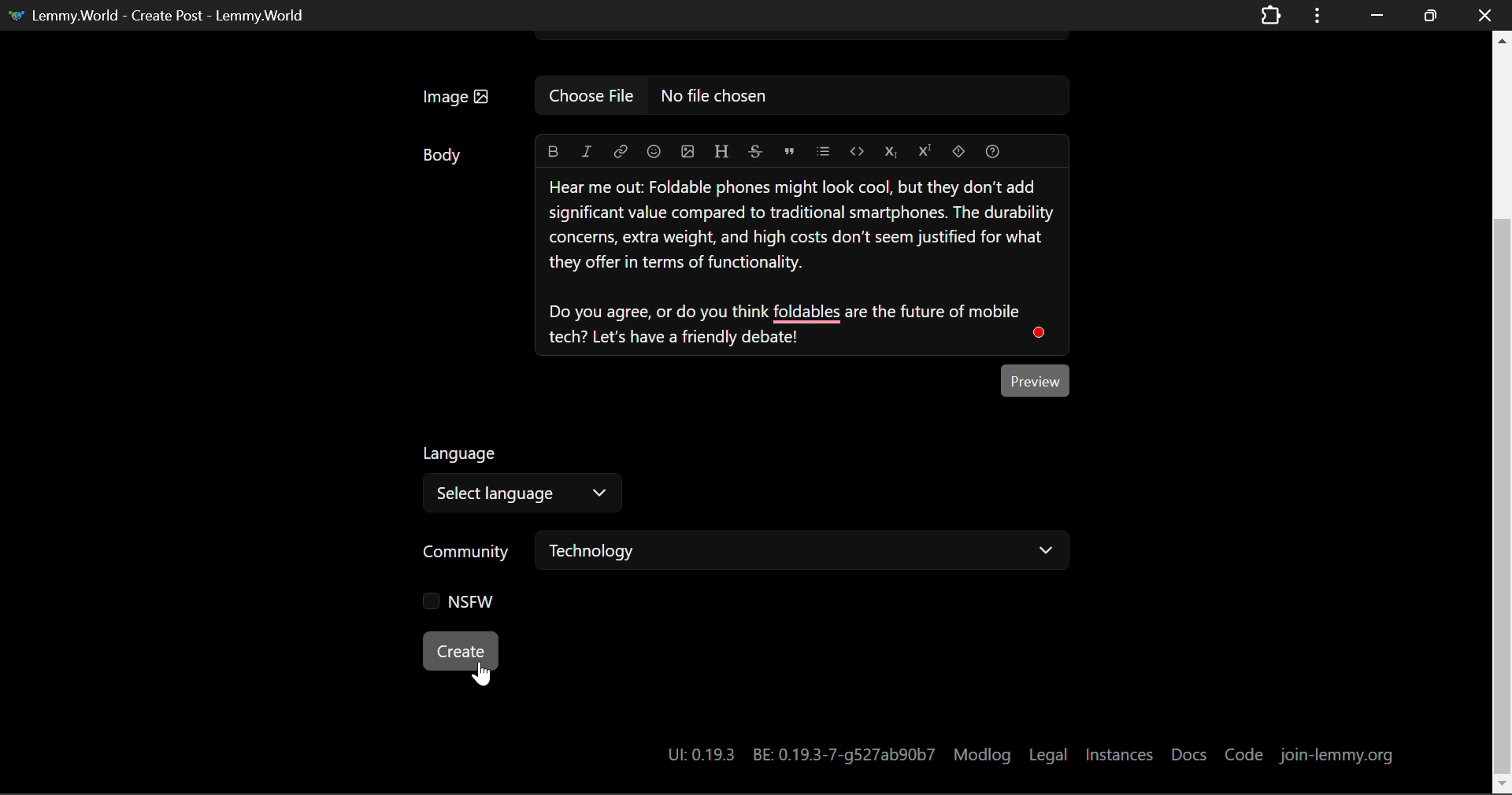 This screenshot has width=1512, height=795. What do you see at coordinates (443, 153) in the screenshot?
I see `Body` at bounding box center [443, 153].